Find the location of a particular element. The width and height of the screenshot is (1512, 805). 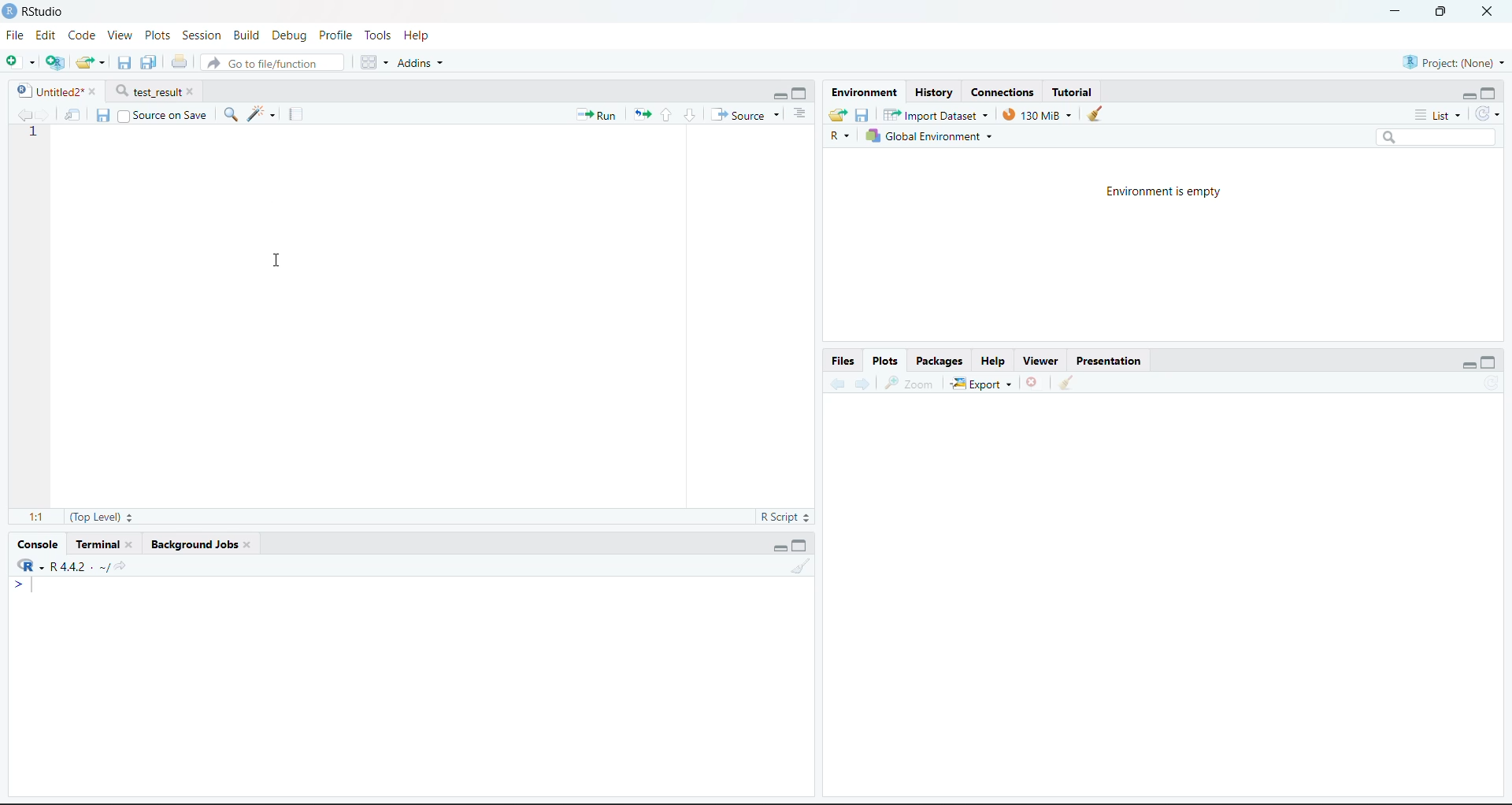

test_result* is located at coordinates (157, 91).